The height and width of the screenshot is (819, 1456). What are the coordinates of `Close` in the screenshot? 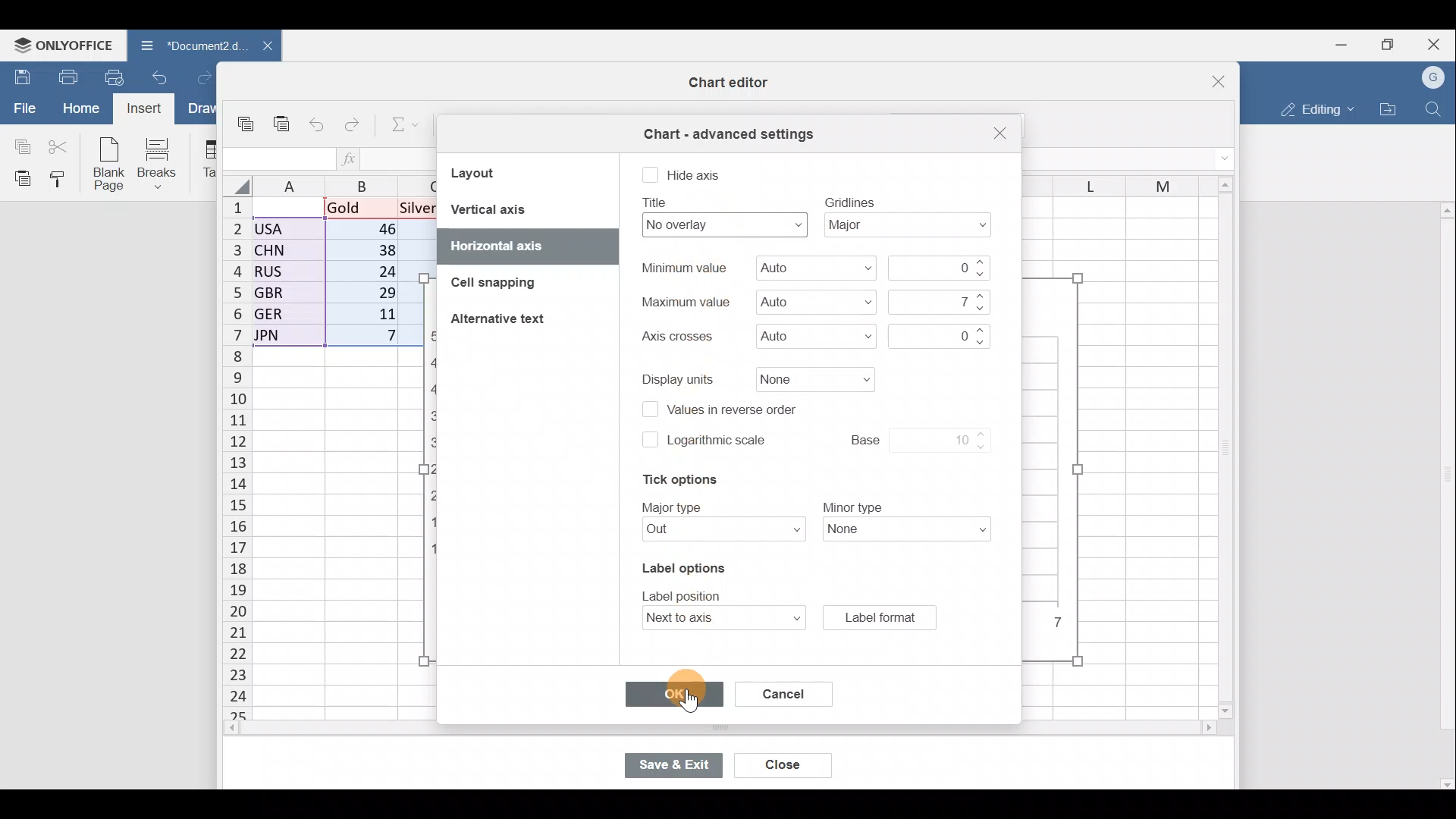 It's located at (997, 133).